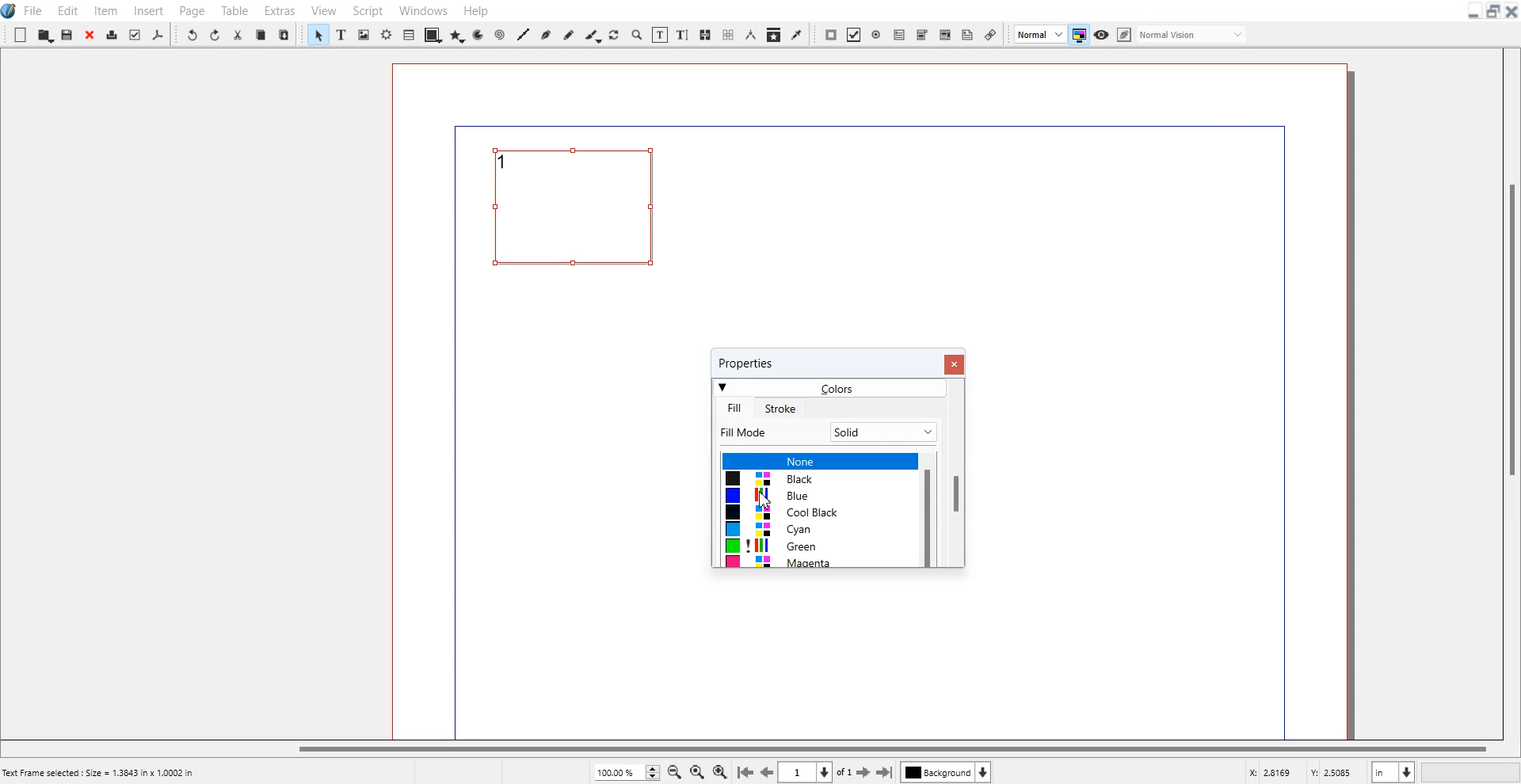  I want to click on PDF Combo Box, so click(923, 35).